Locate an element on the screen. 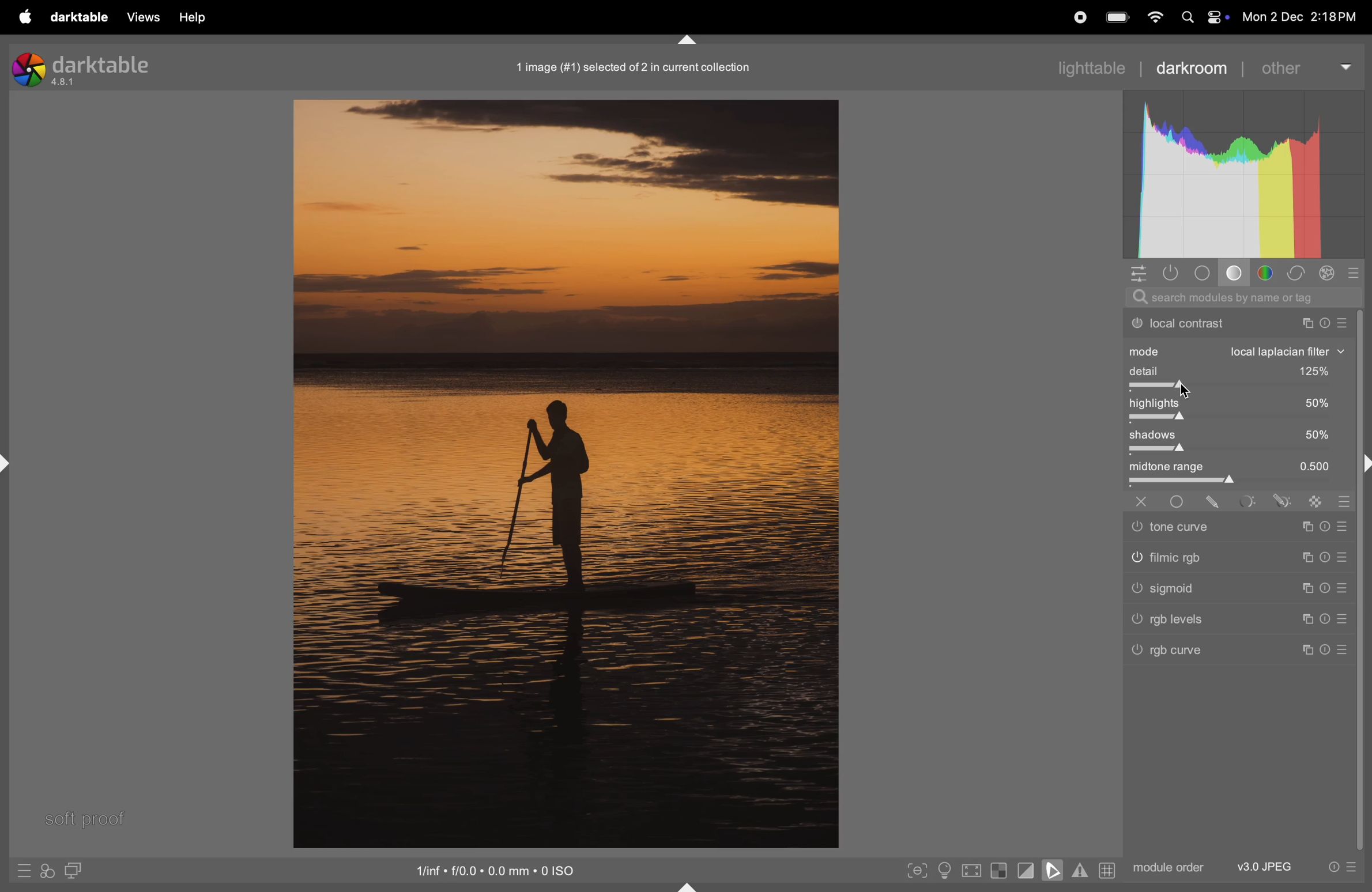 Image resolution: width=1372 pixels, height=892 pixels. lighttable is located at coordinates (1092, 67).